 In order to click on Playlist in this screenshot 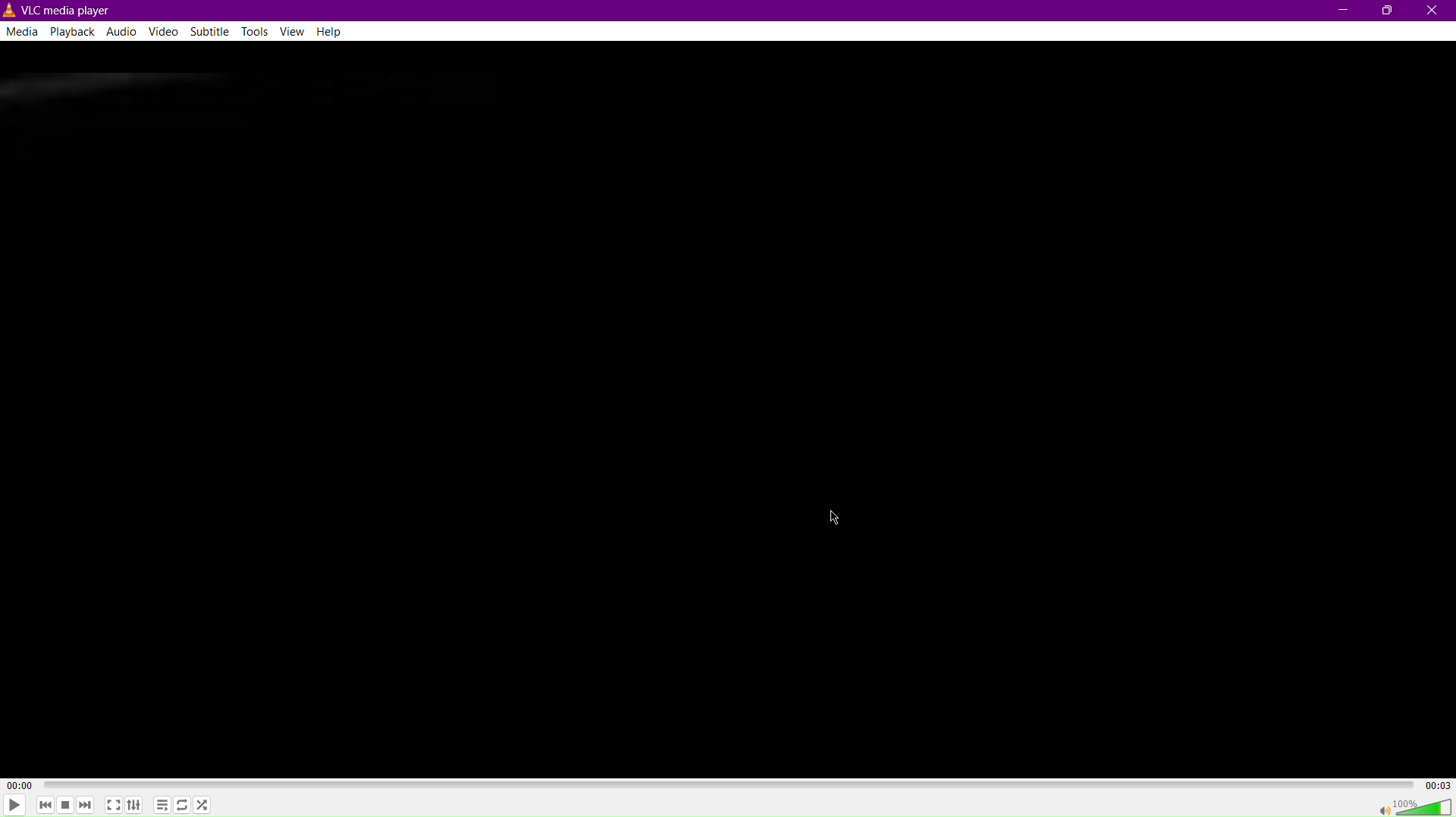, I will do `click(165, 805)`.